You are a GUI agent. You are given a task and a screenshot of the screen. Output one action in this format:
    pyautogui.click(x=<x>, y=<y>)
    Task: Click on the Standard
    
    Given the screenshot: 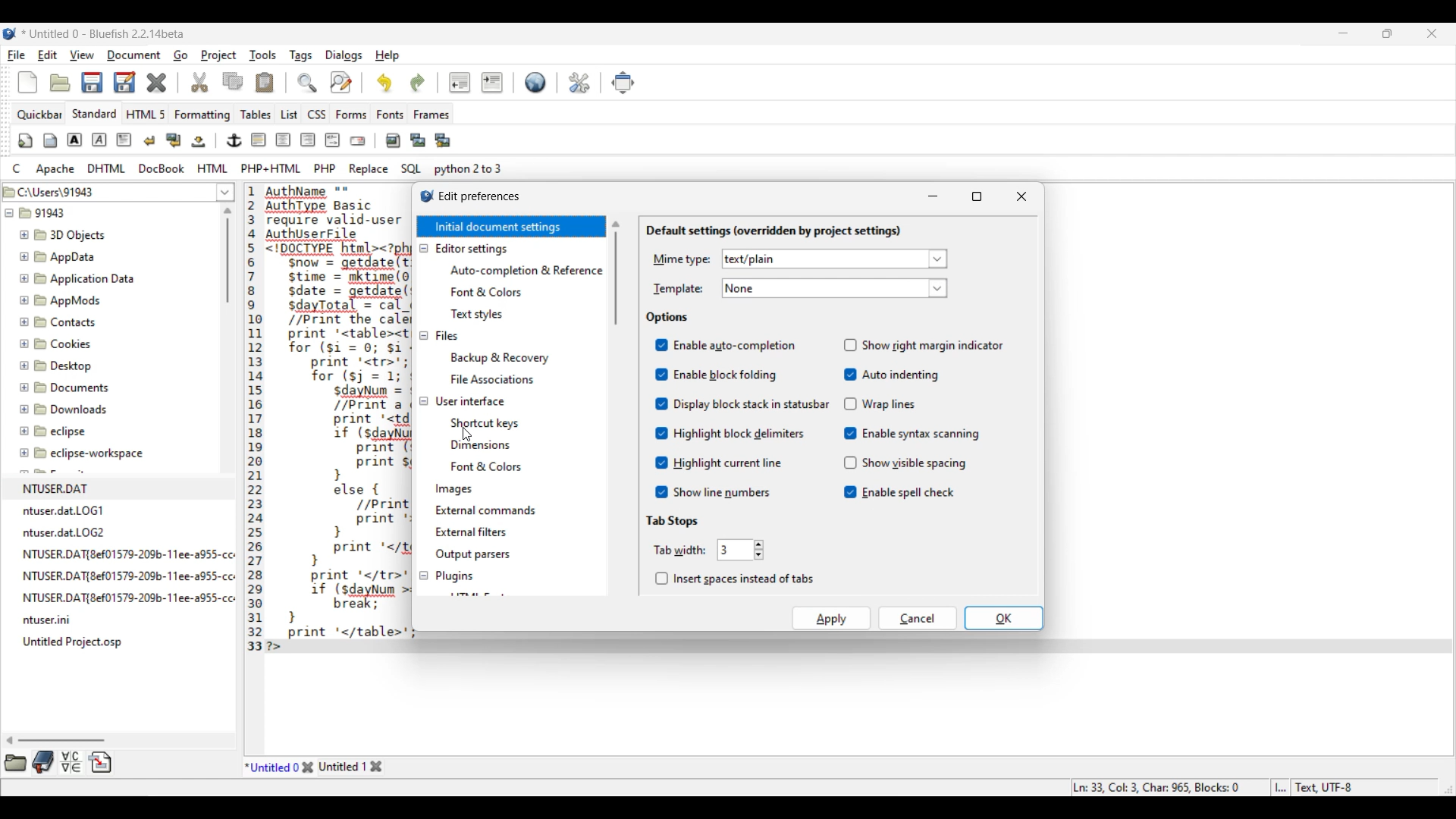 What is the action you would take?
    pyautogui.click(x=95, y=114)
    